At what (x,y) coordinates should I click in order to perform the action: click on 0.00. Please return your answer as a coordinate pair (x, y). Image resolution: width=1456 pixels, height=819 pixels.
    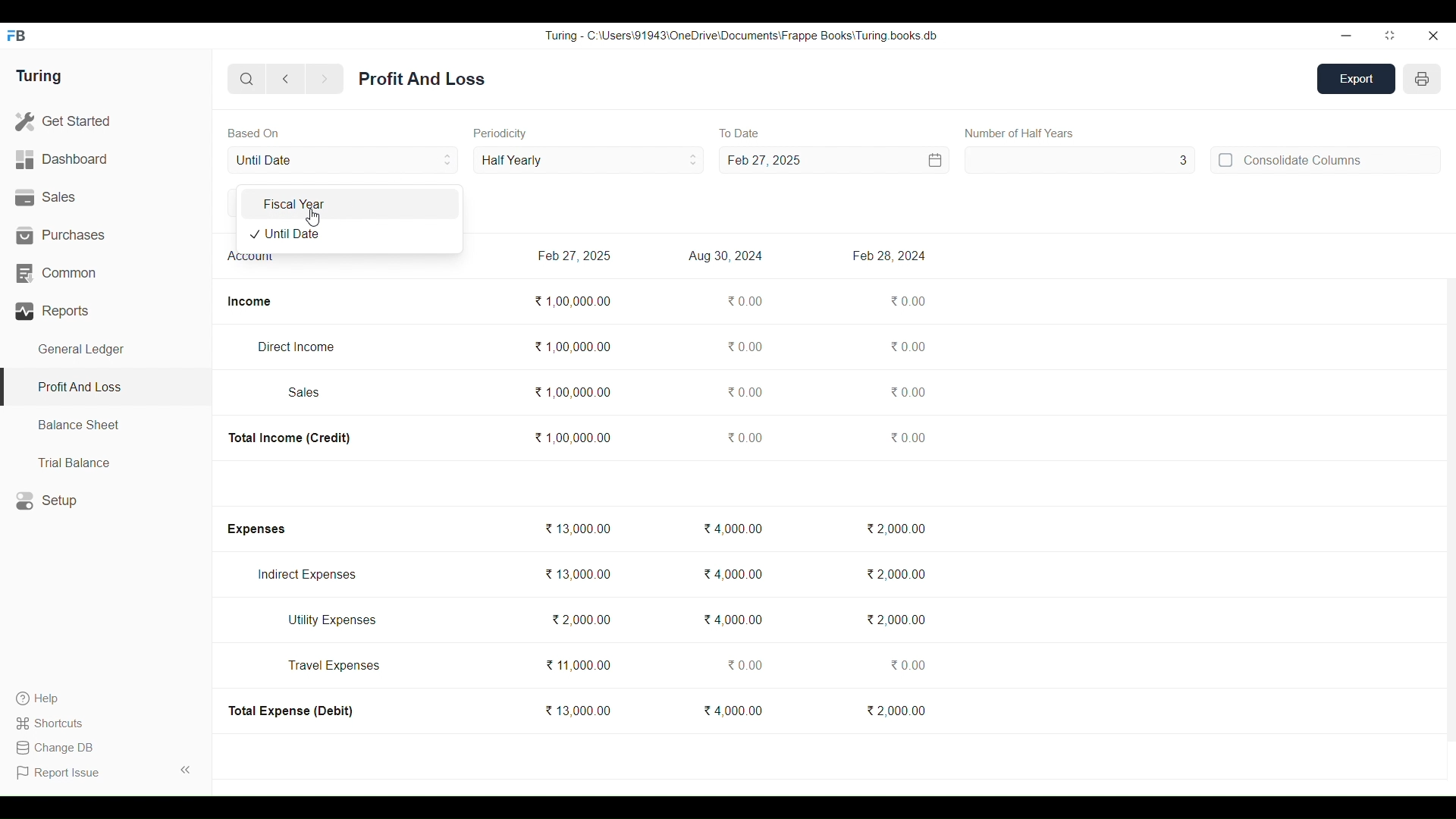
    Looking at the image, I should click on (743, 665).